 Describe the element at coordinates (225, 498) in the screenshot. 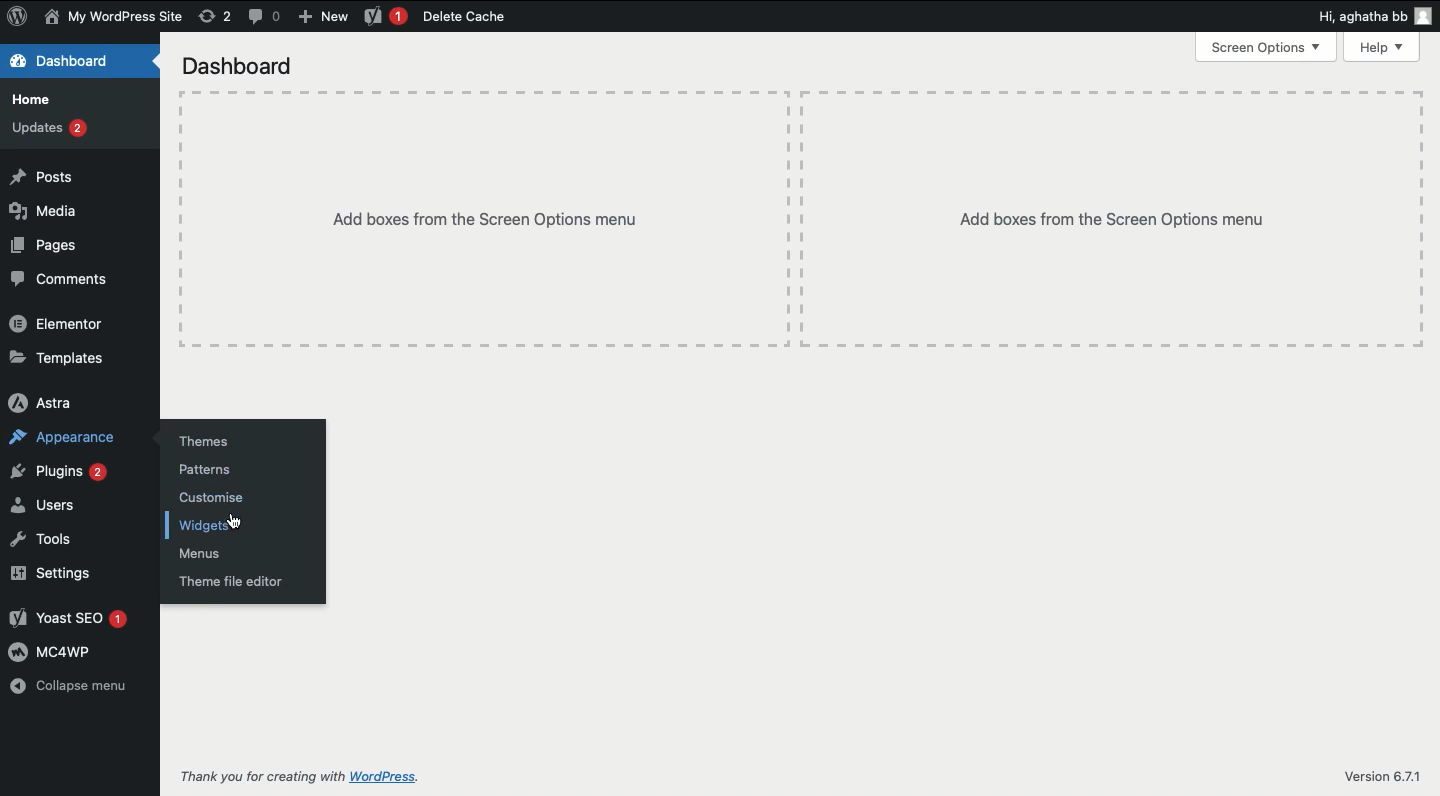

I see `Customise` at that location.